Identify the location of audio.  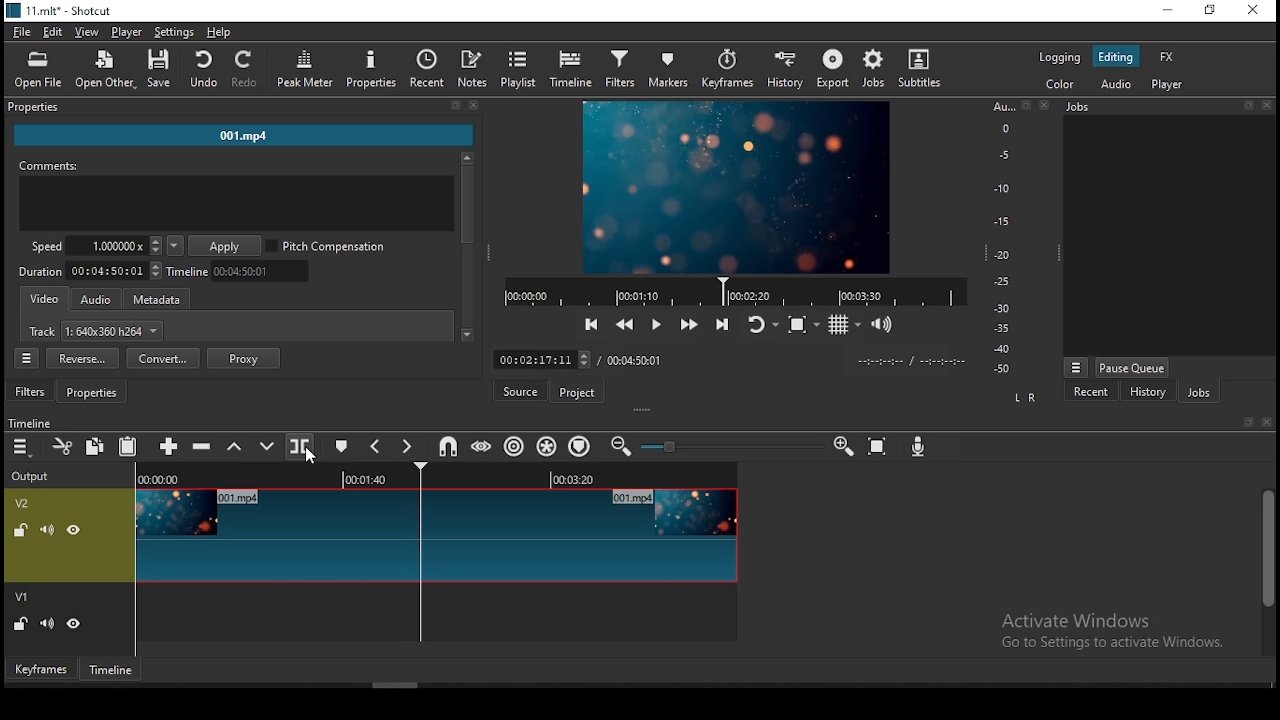
(96, 300).